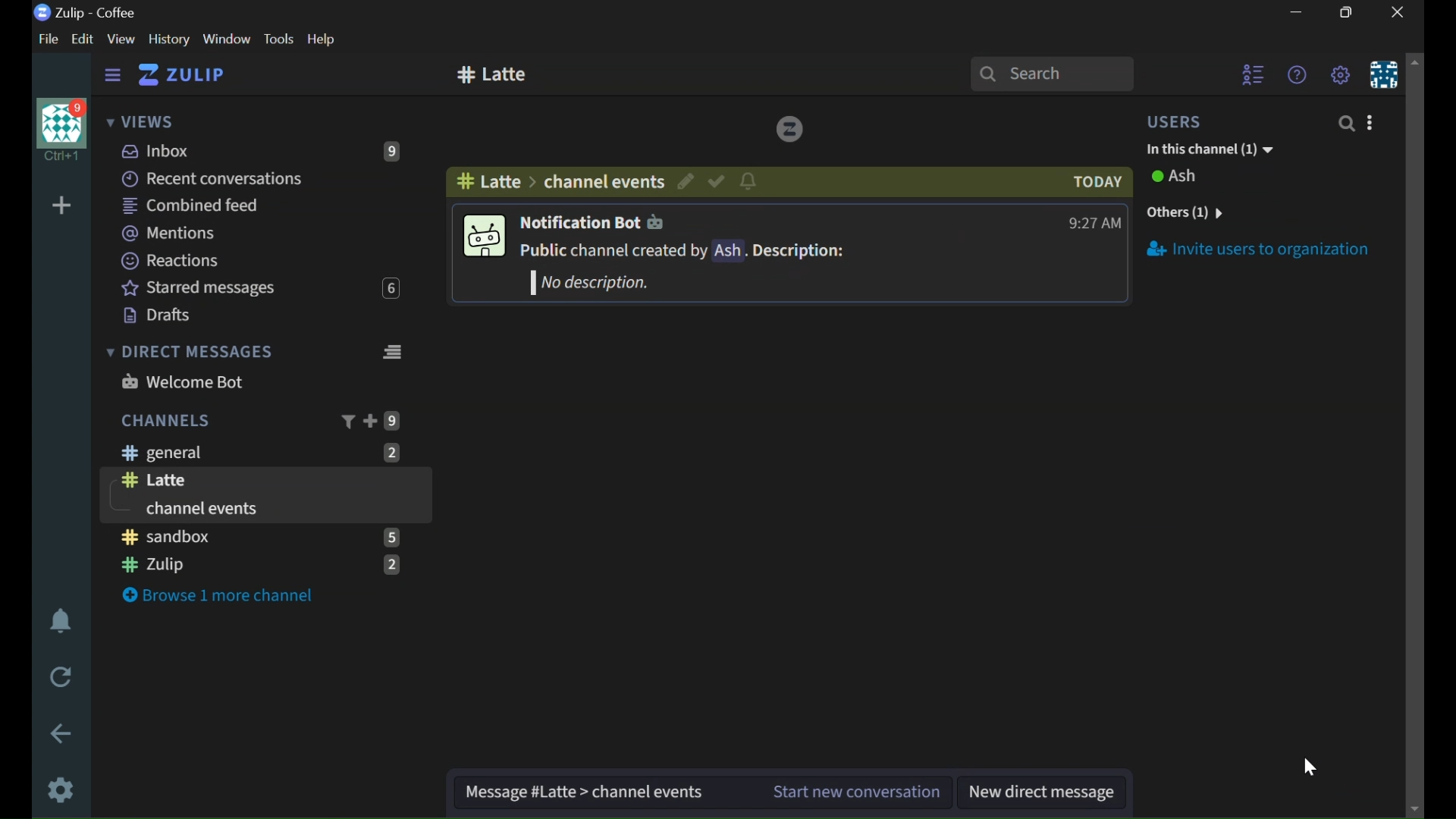 This screenshot has height=819, width=1456. Describe the element at coordinates (686, 180) in the screenshot. I see `Edit topic` at that location.